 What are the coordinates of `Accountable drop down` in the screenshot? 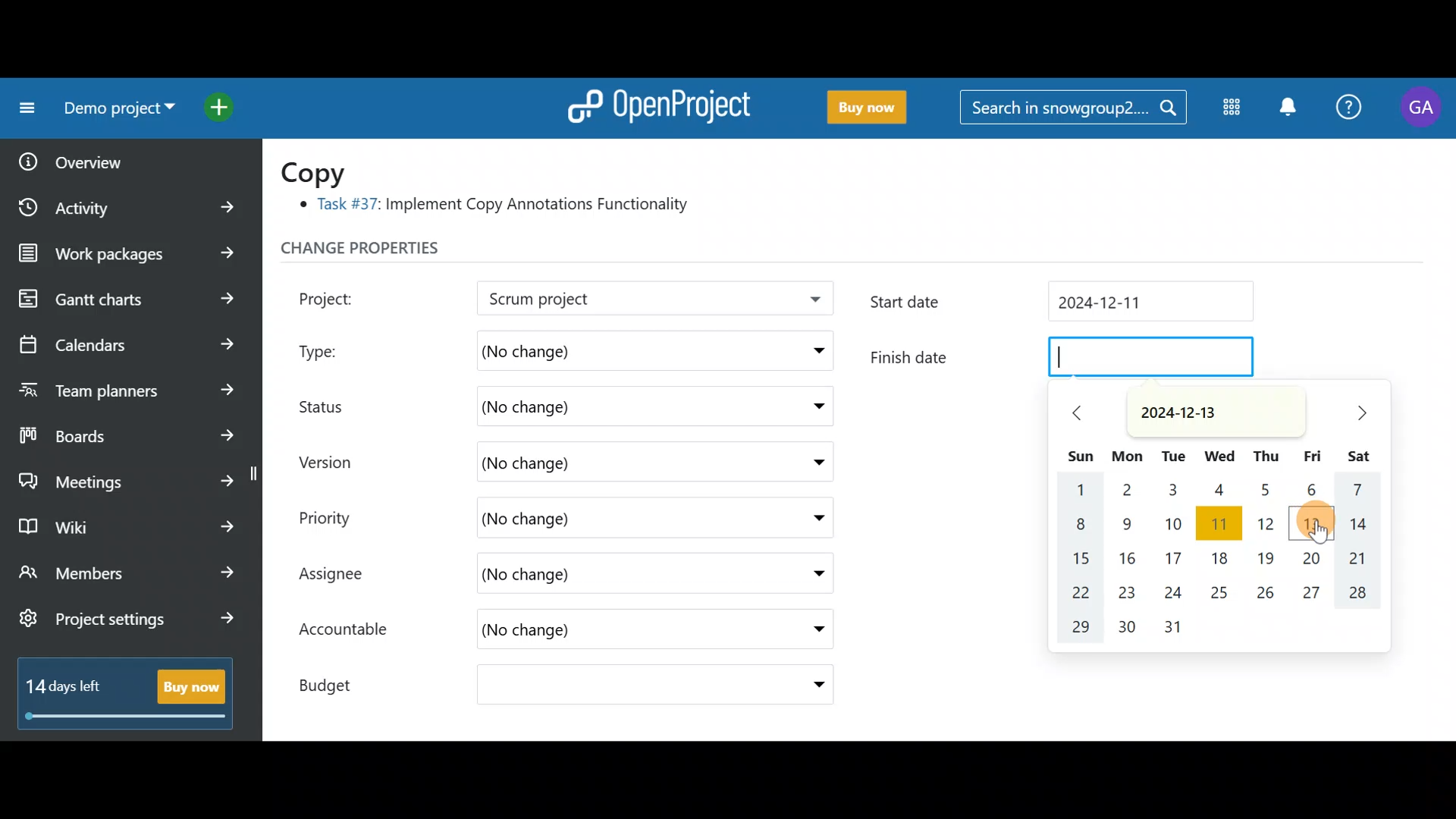 It's located at (811, 630).